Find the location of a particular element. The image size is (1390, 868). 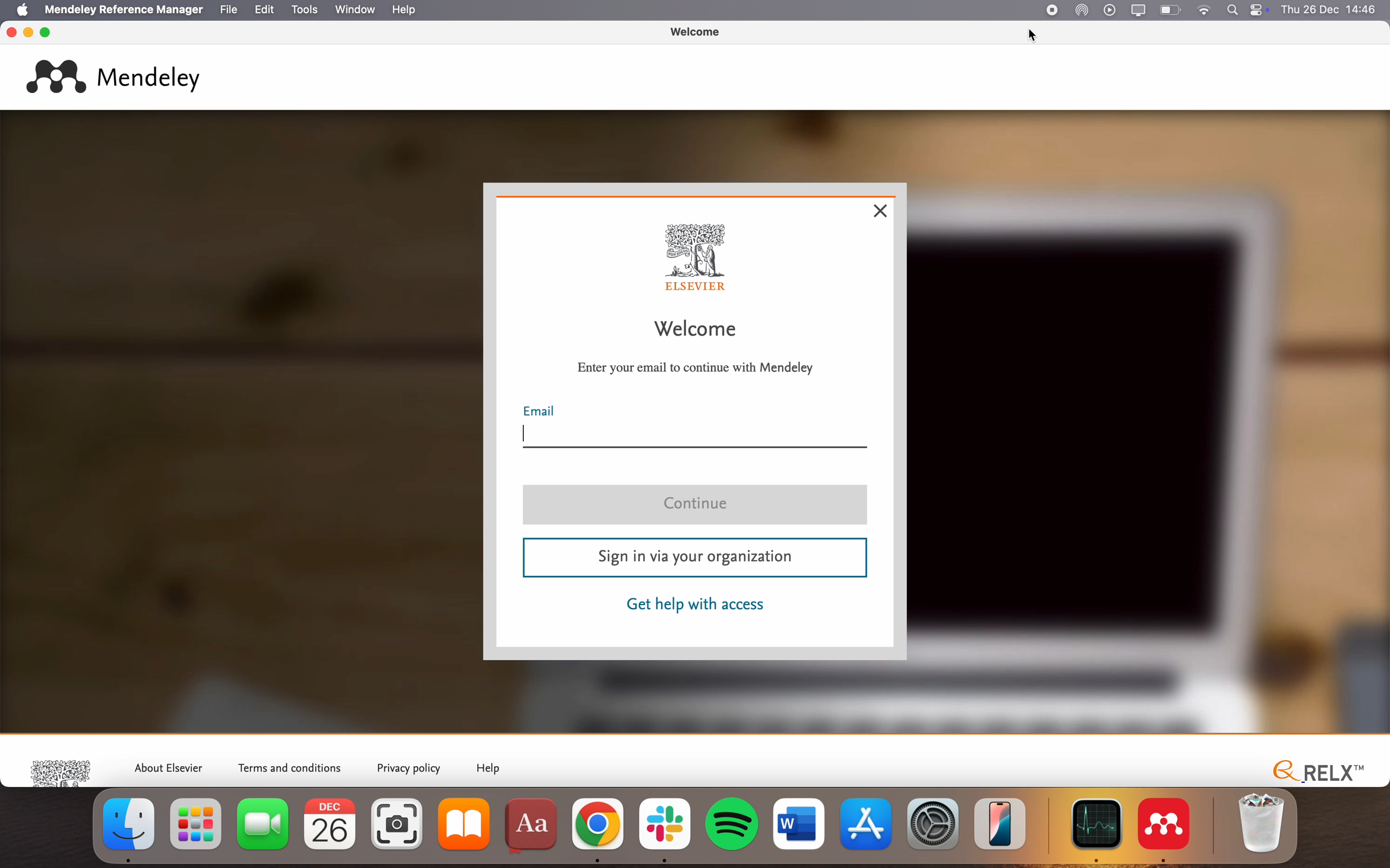

launchpad is located at coordinates (196, 830).